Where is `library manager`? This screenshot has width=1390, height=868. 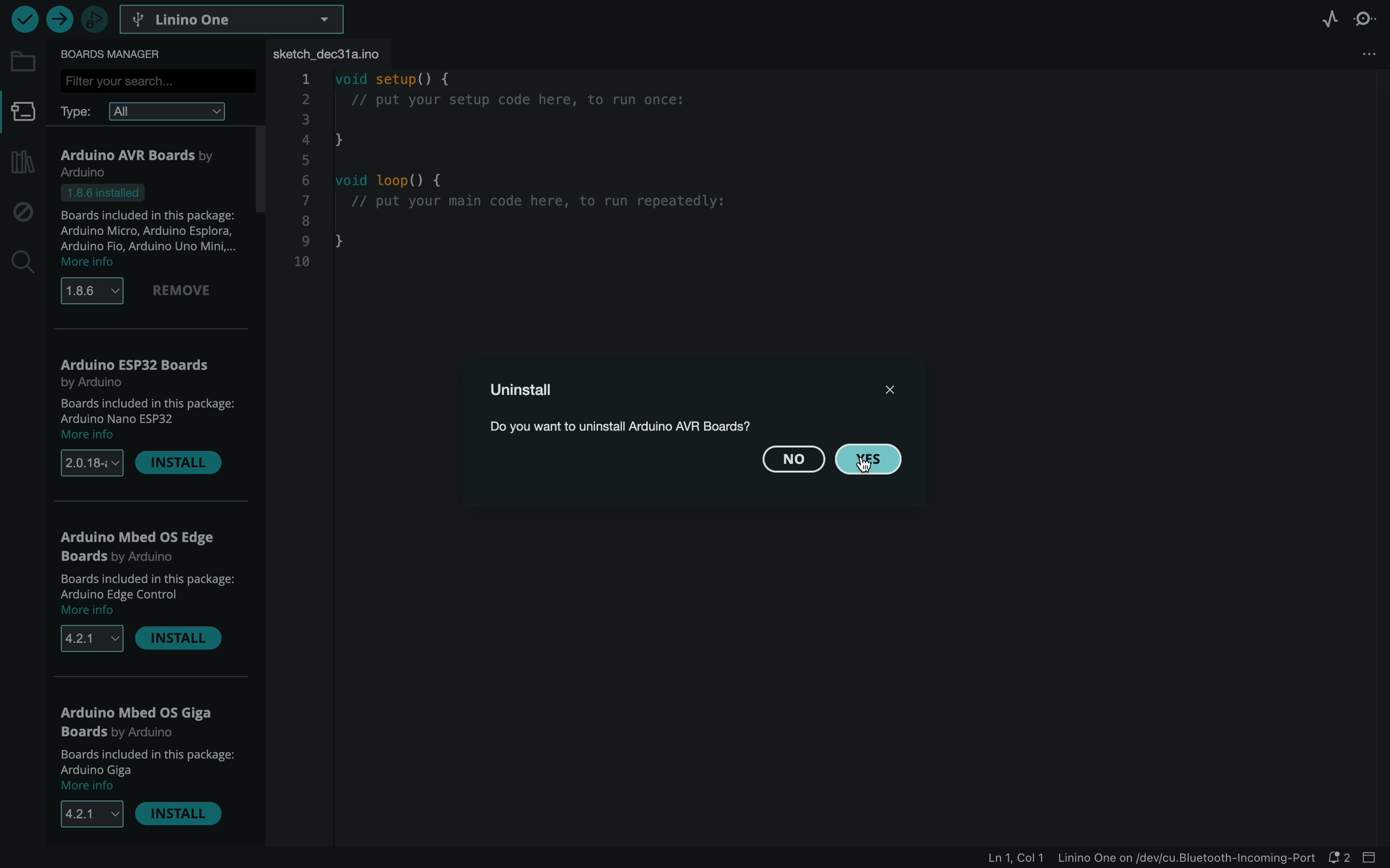
library manager is located at coordinates (22, 163).